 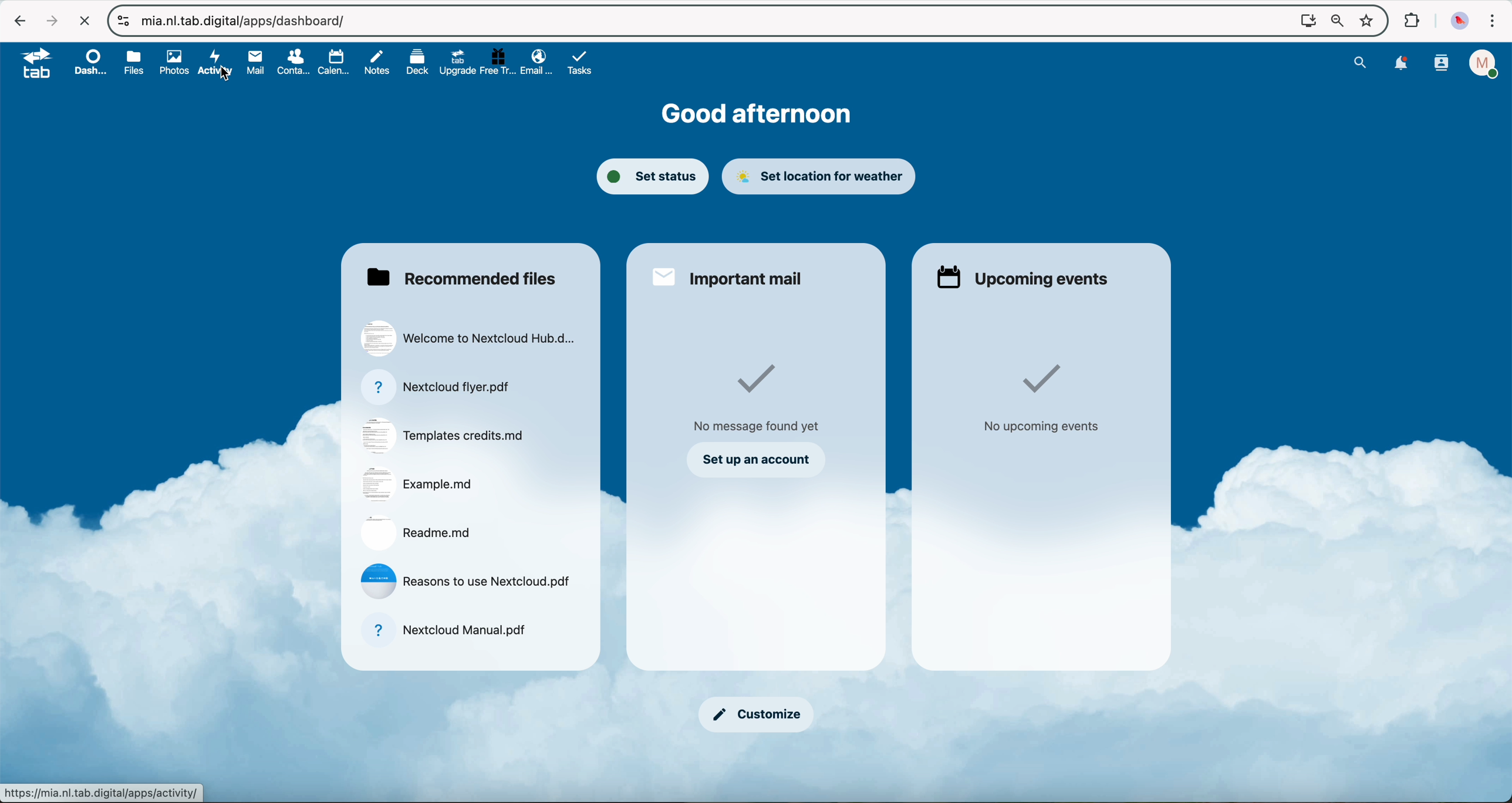 What do you see at coordinates (1401, 65) in the screenshot?
I see `notifications` at bounding box center [1401, 65].